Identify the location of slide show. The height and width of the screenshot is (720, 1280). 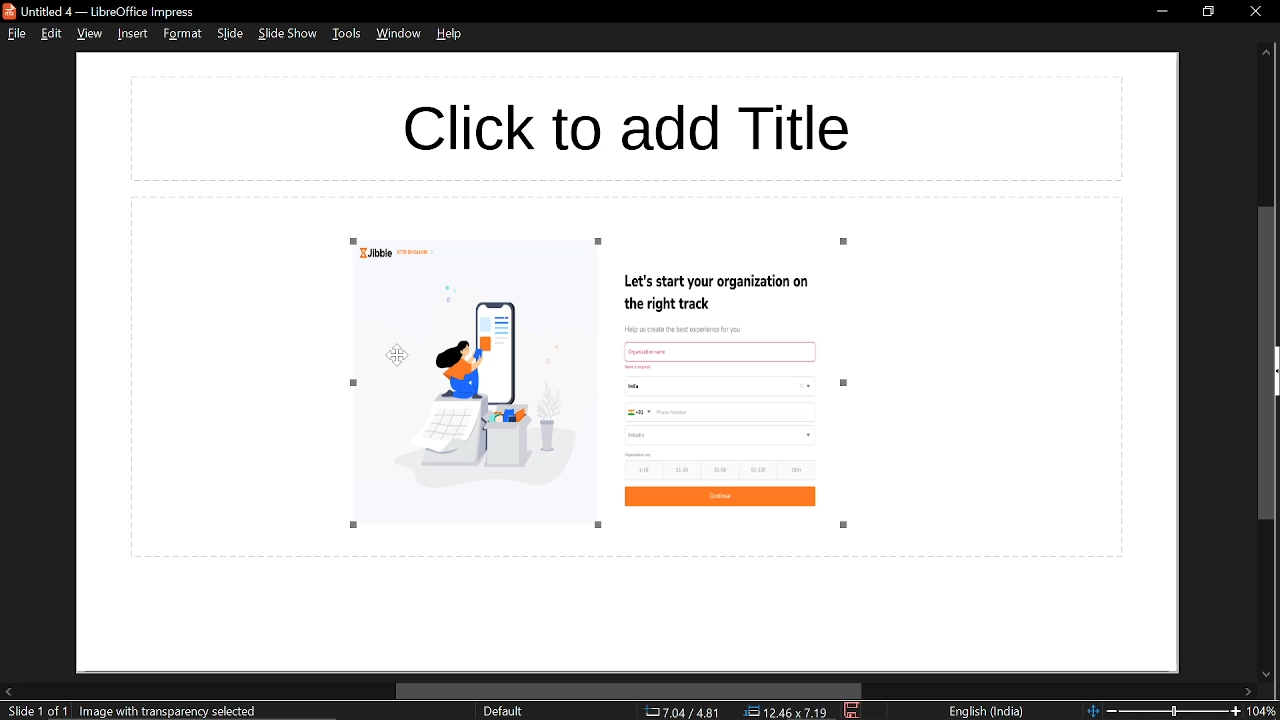
(288, 36).